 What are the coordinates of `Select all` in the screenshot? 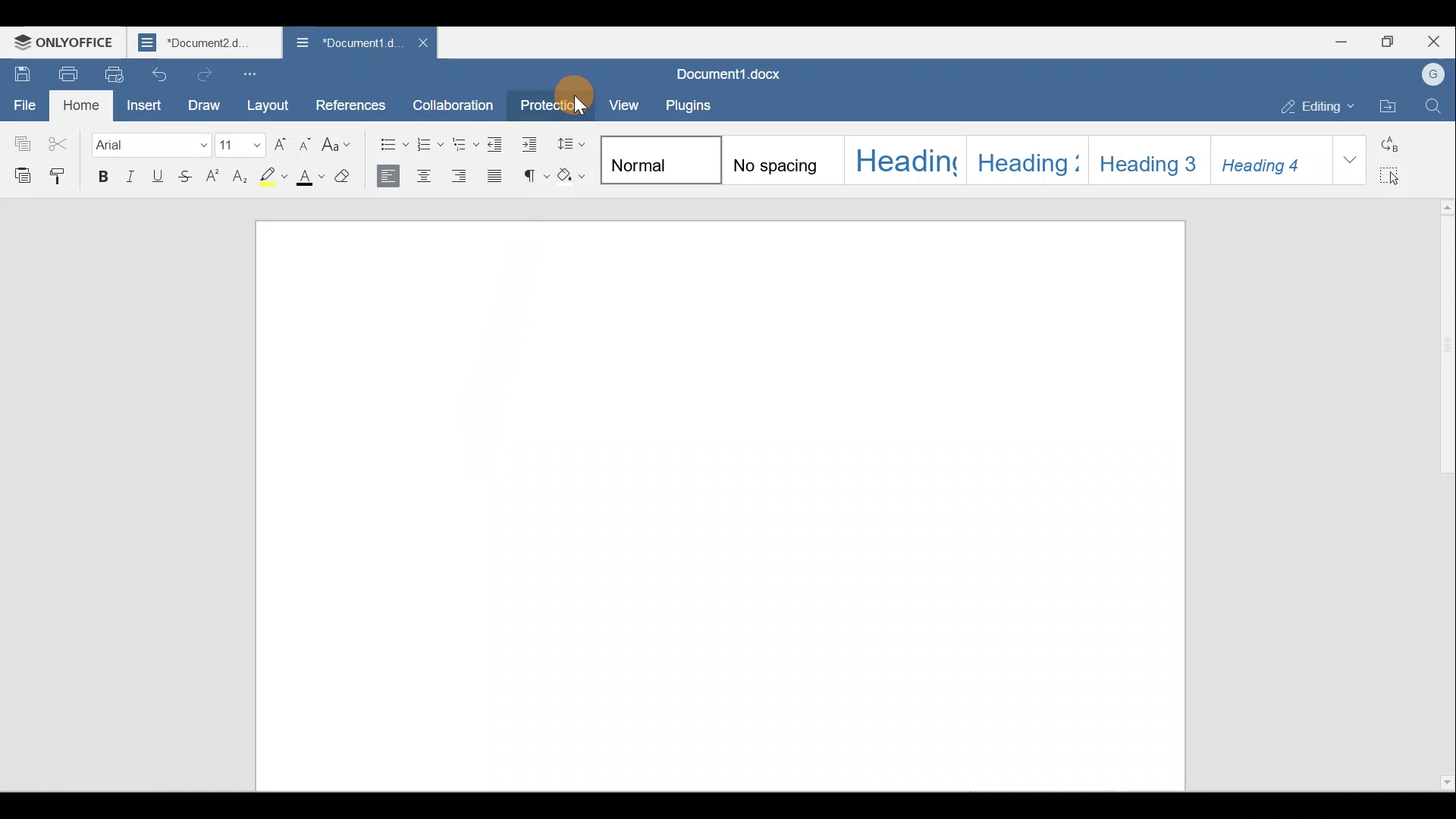 It's located at (1392, 174).